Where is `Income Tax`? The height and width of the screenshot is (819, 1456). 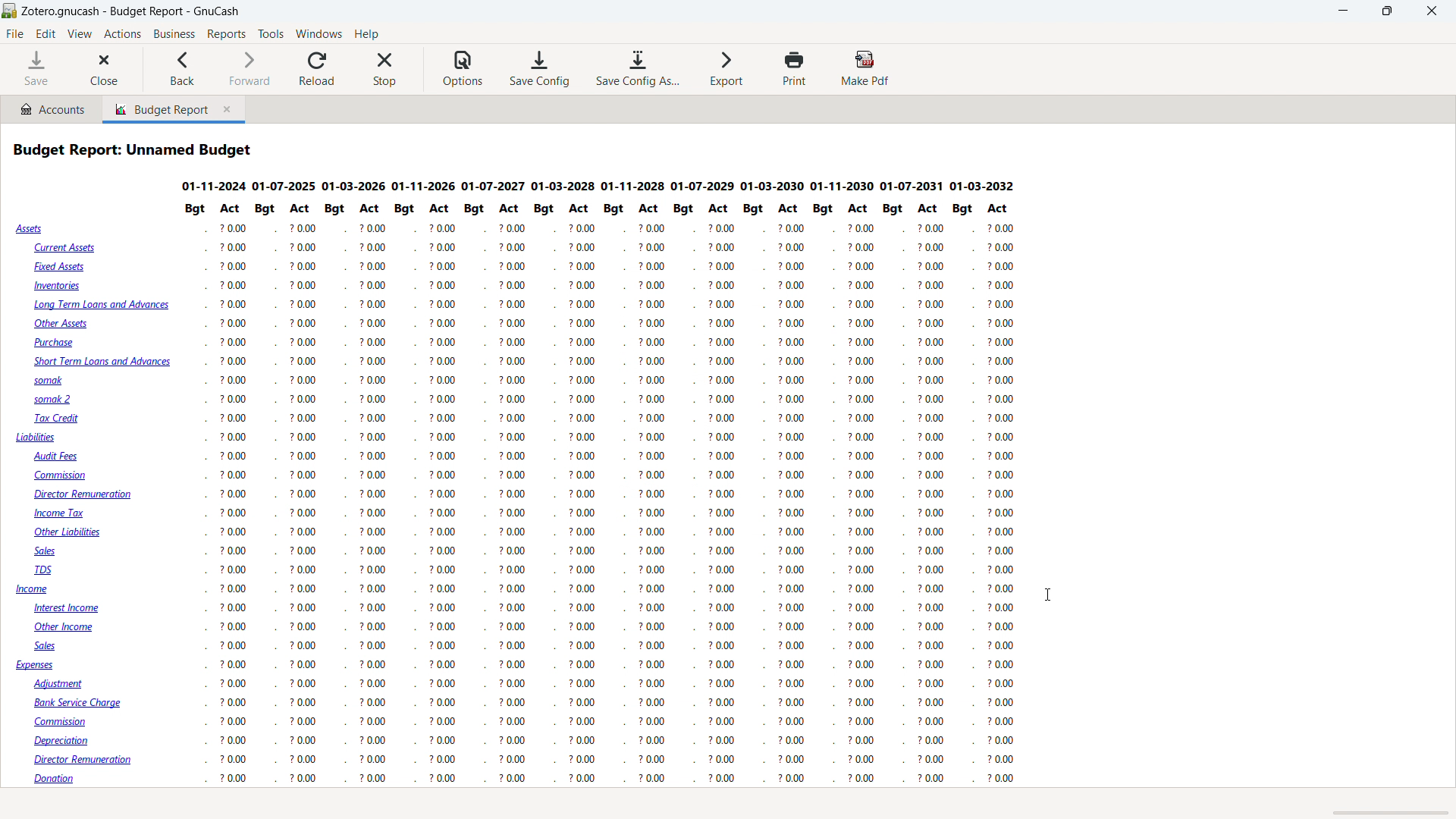 Income Tax is located at coordinates (61, 513).